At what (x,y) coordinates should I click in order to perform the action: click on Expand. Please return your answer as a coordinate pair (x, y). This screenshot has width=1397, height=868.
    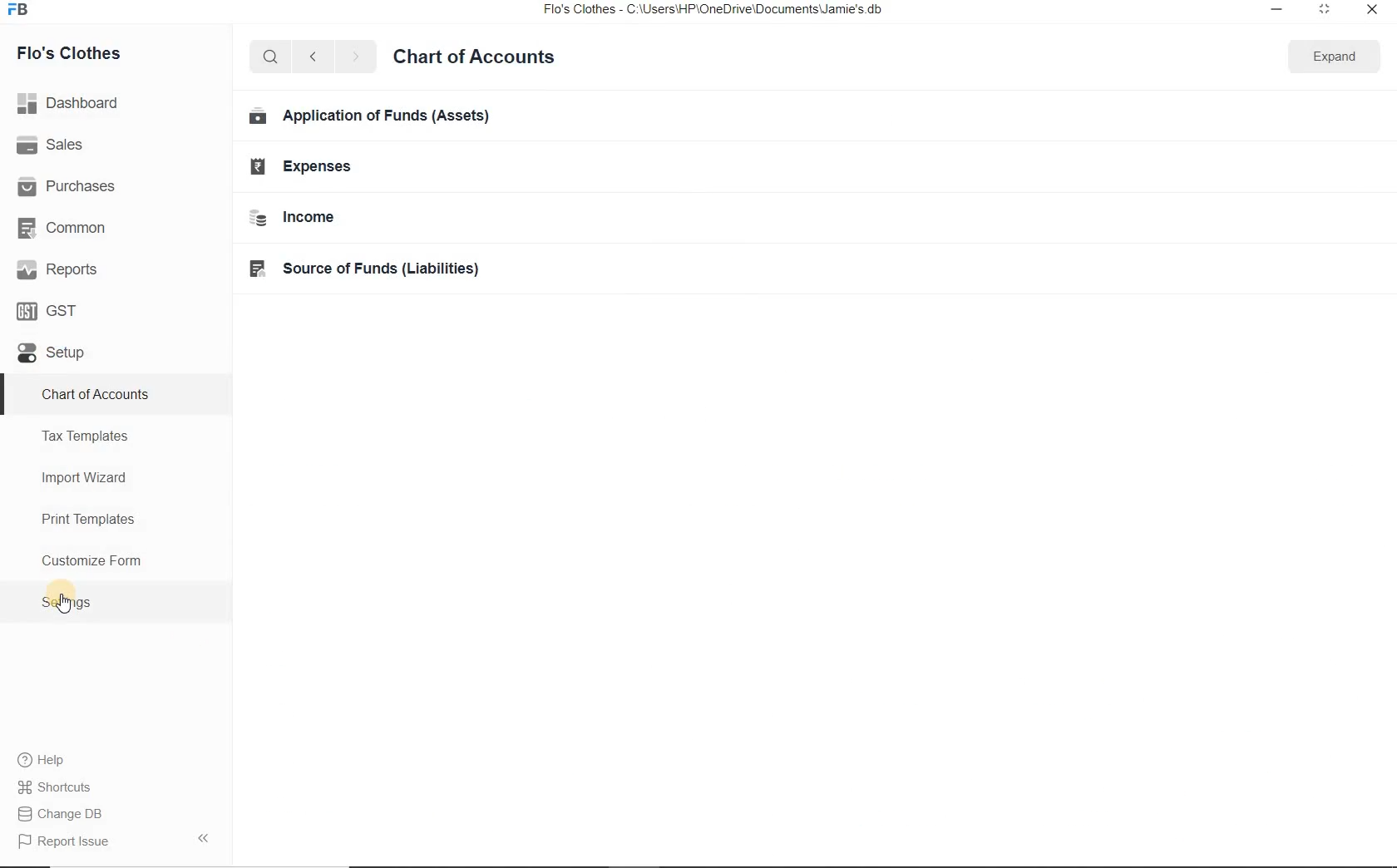
    Looking at the image, I should click on (1330, 55).